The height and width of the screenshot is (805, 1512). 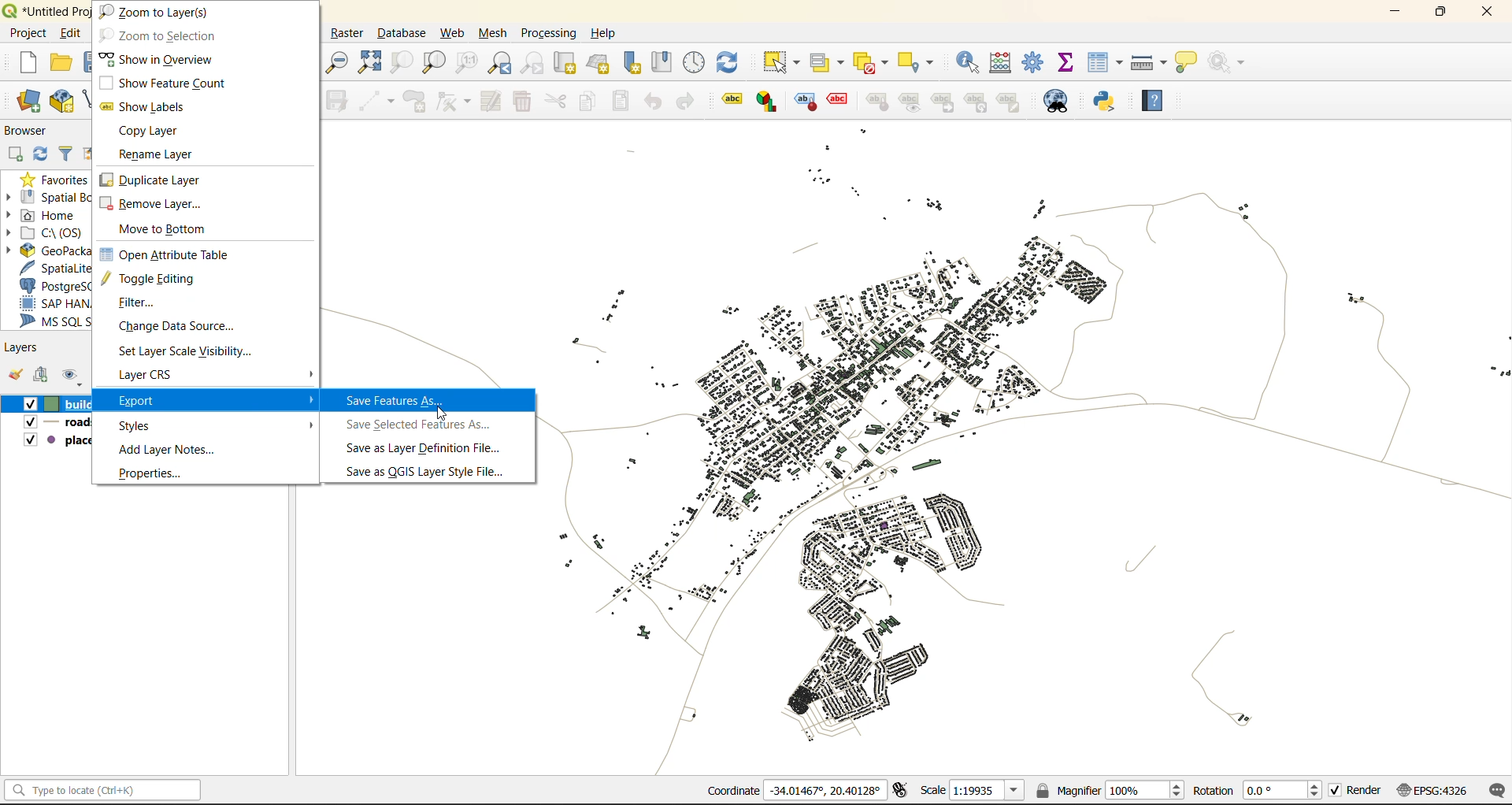 I want to click on toolbox, so click(x=1034, y=64).